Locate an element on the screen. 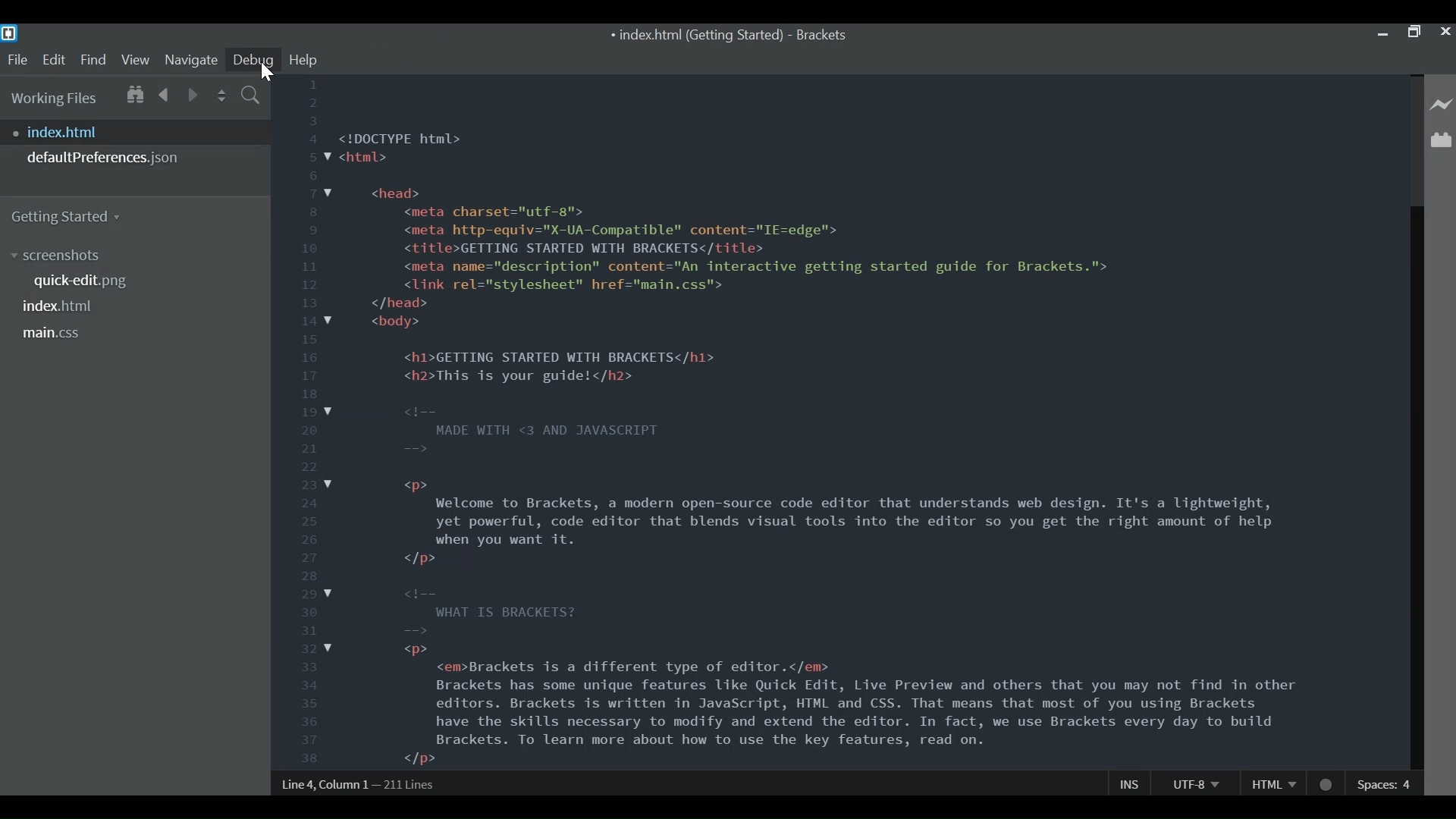  Bracket Desktop Icon is located at coordinates (9, 33).